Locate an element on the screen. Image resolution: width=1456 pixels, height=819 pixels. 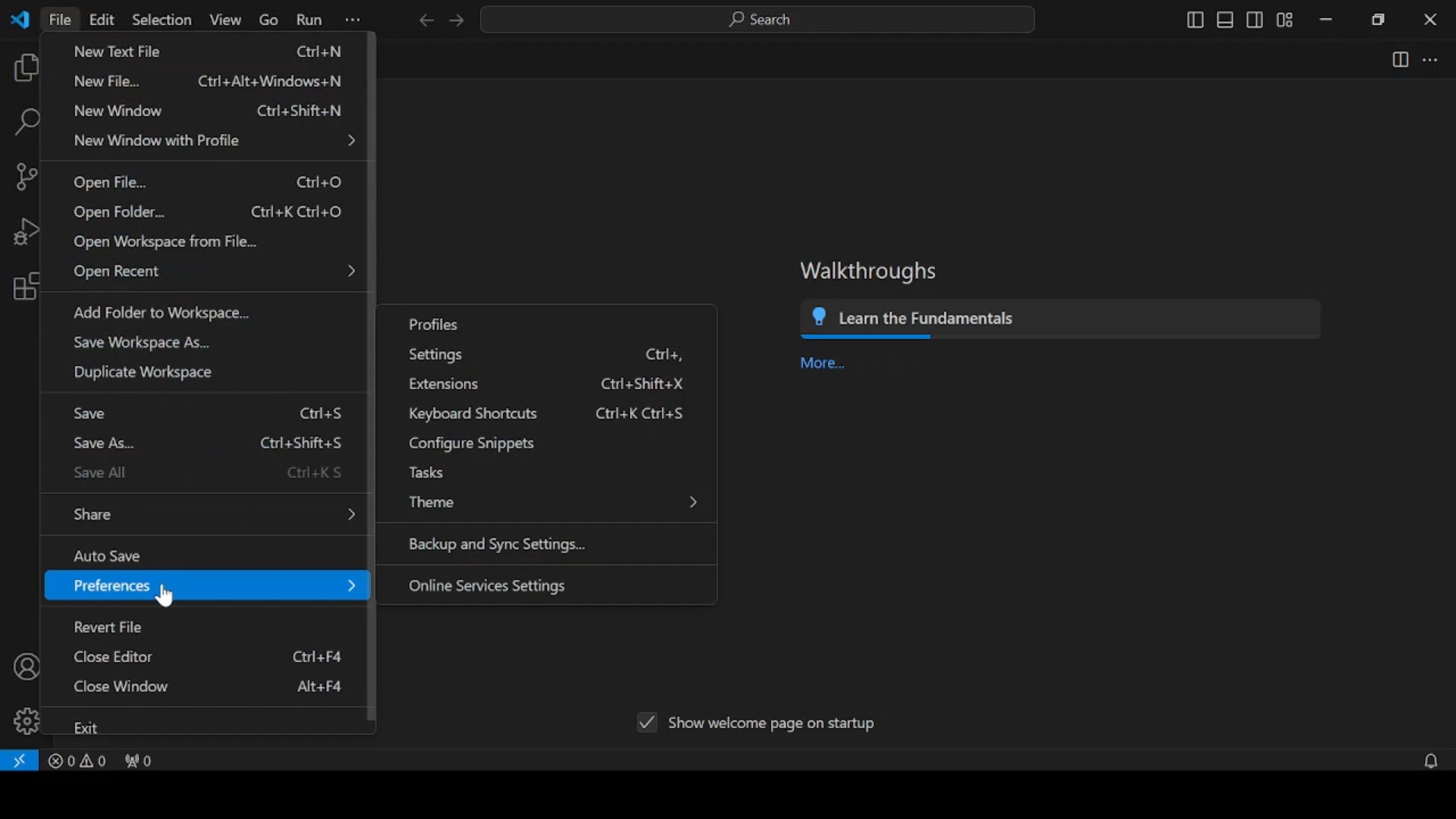
manage is located at coordinates (27, 722).